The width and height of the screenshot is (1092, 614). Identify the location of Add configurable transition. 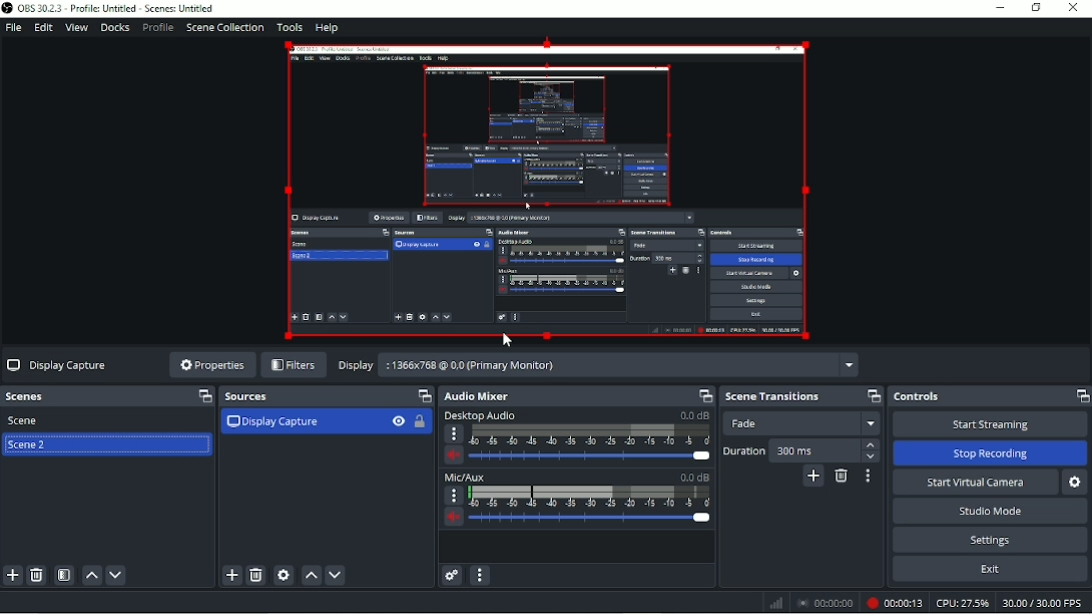
(814, 478).